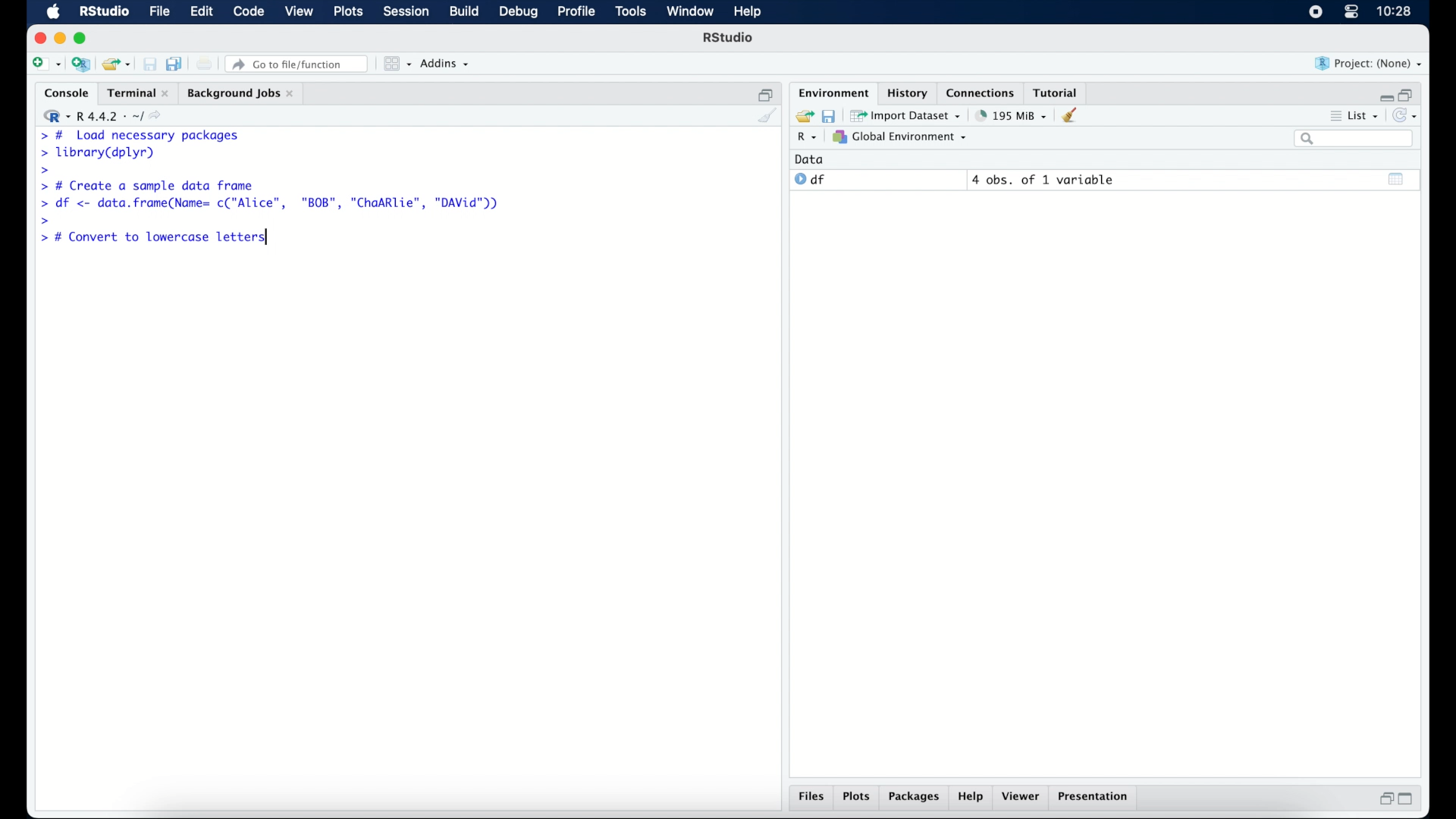 Image resolution: width=1456 pixels, height=819 pixels. What do you see at coordinates (205, 64) in the screenshot?
I see `print` at bounding box center [205, 64].